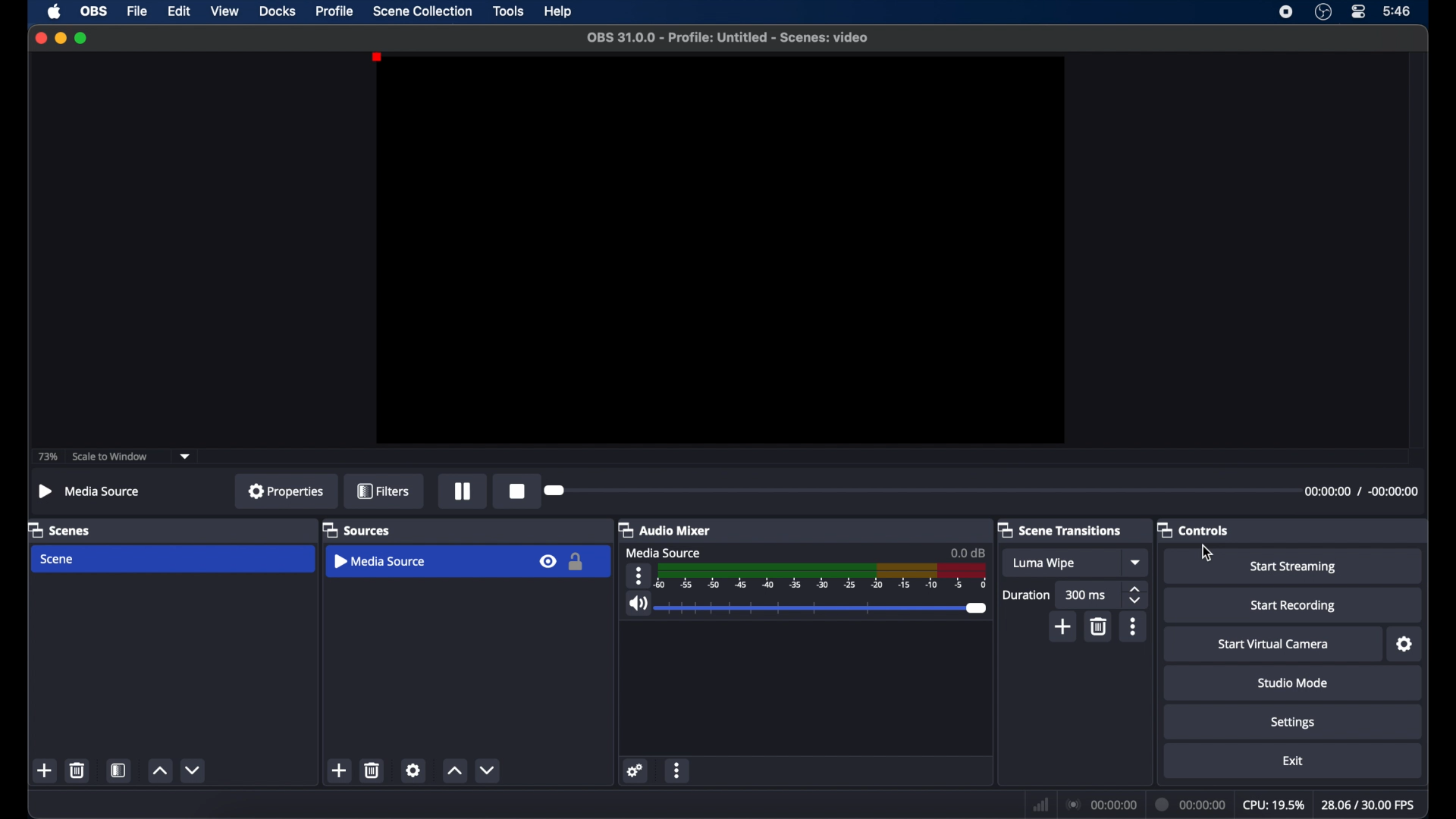  What do you see at coordinates (335, 10) in the screenshot?
I see `profile` at bounding box center [335, 10].